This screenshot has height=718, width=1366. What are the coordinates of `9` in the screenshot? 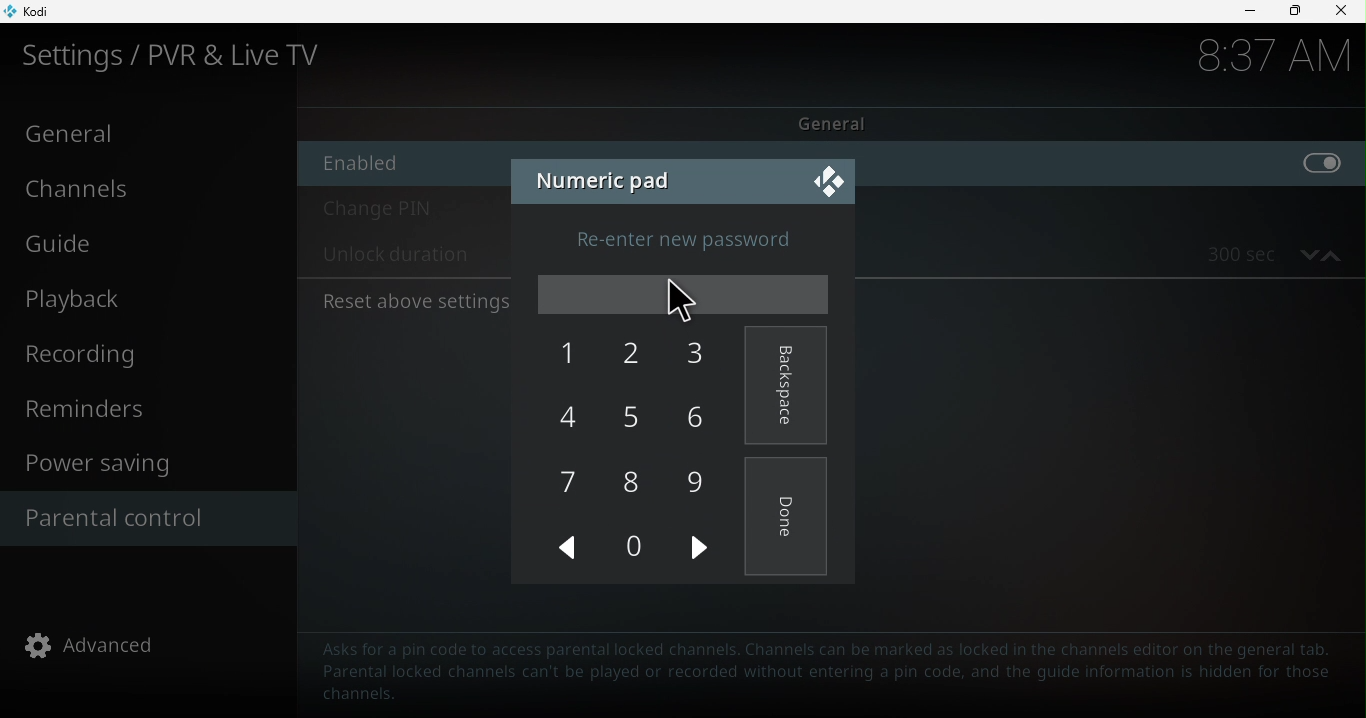 It's located at (699, 479).